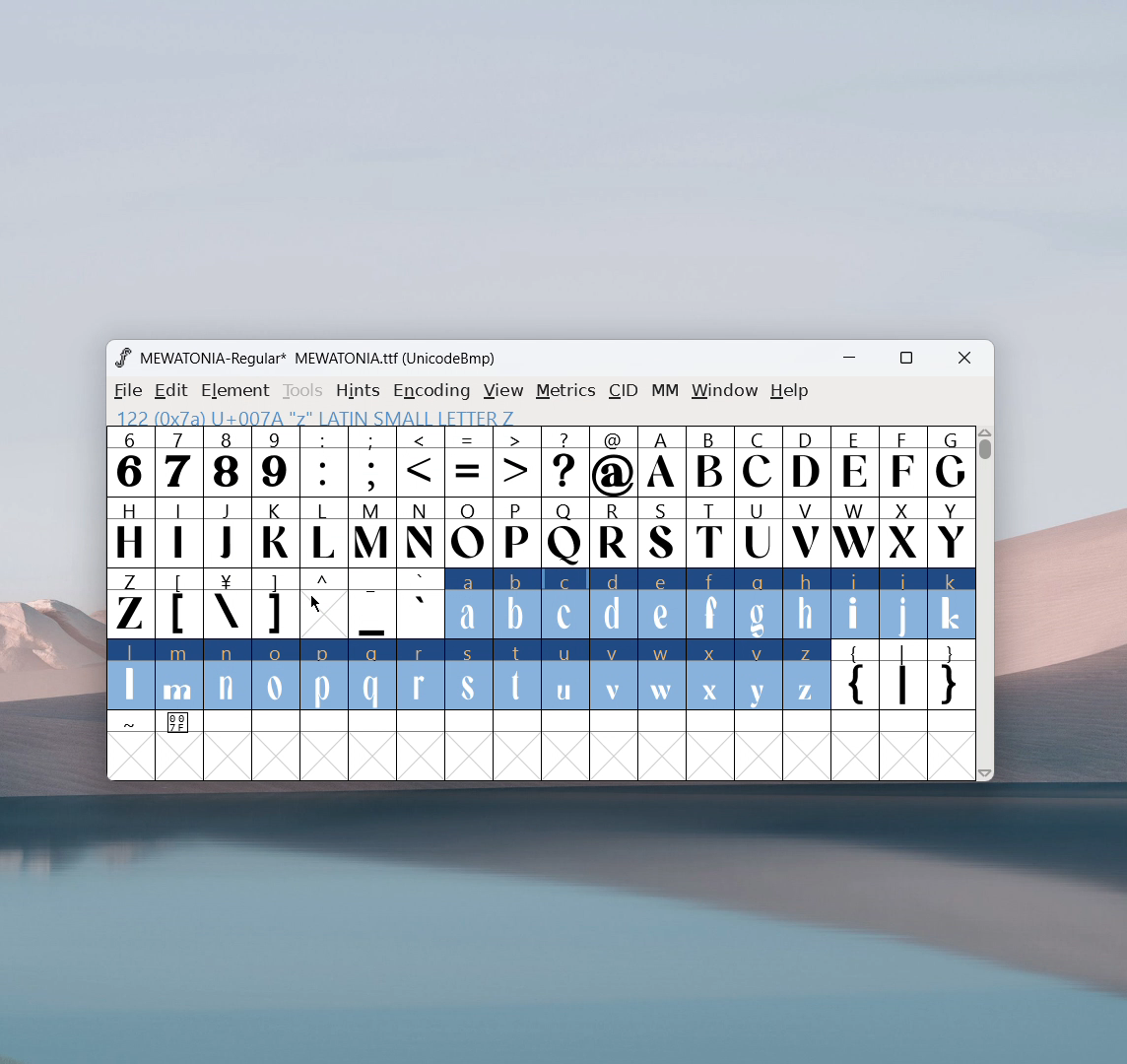 This screenshot has height=1064, width=1127. I want to click on Y, so click(952, 531).